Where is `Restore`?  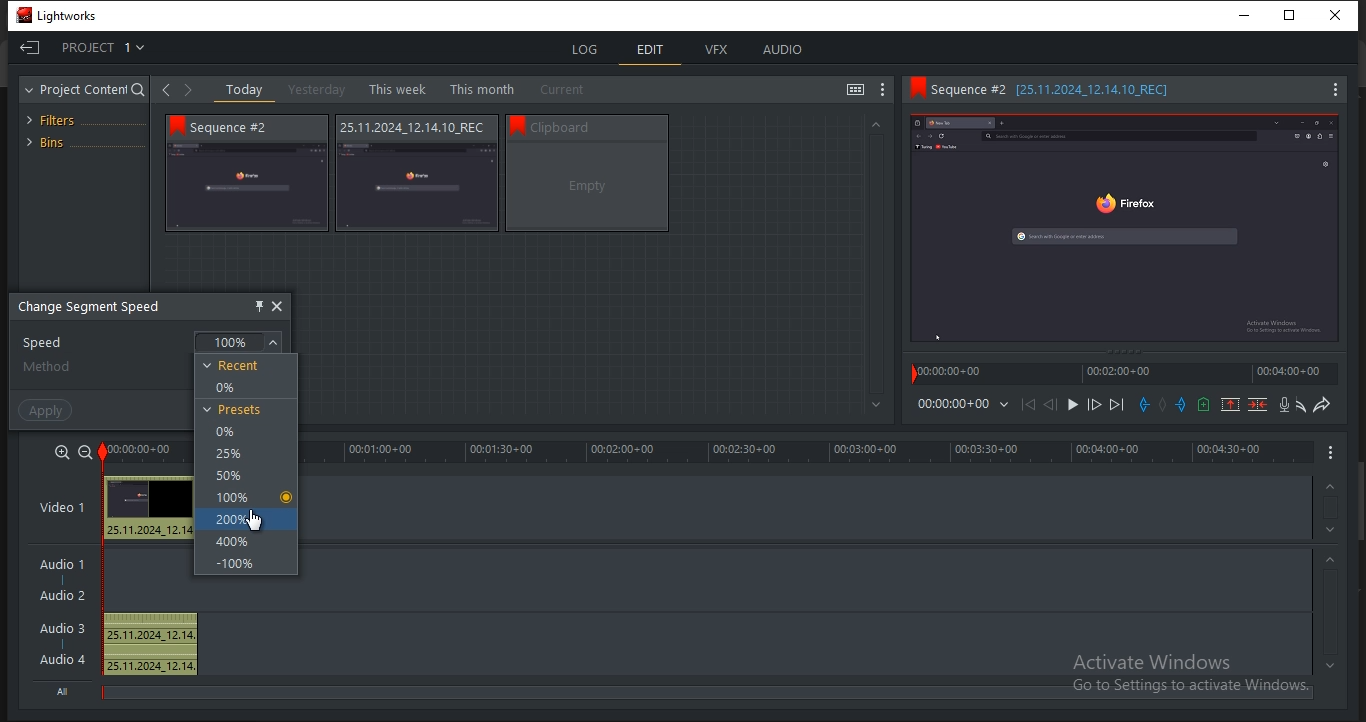 Restore is located at coordinates (1295, 13).